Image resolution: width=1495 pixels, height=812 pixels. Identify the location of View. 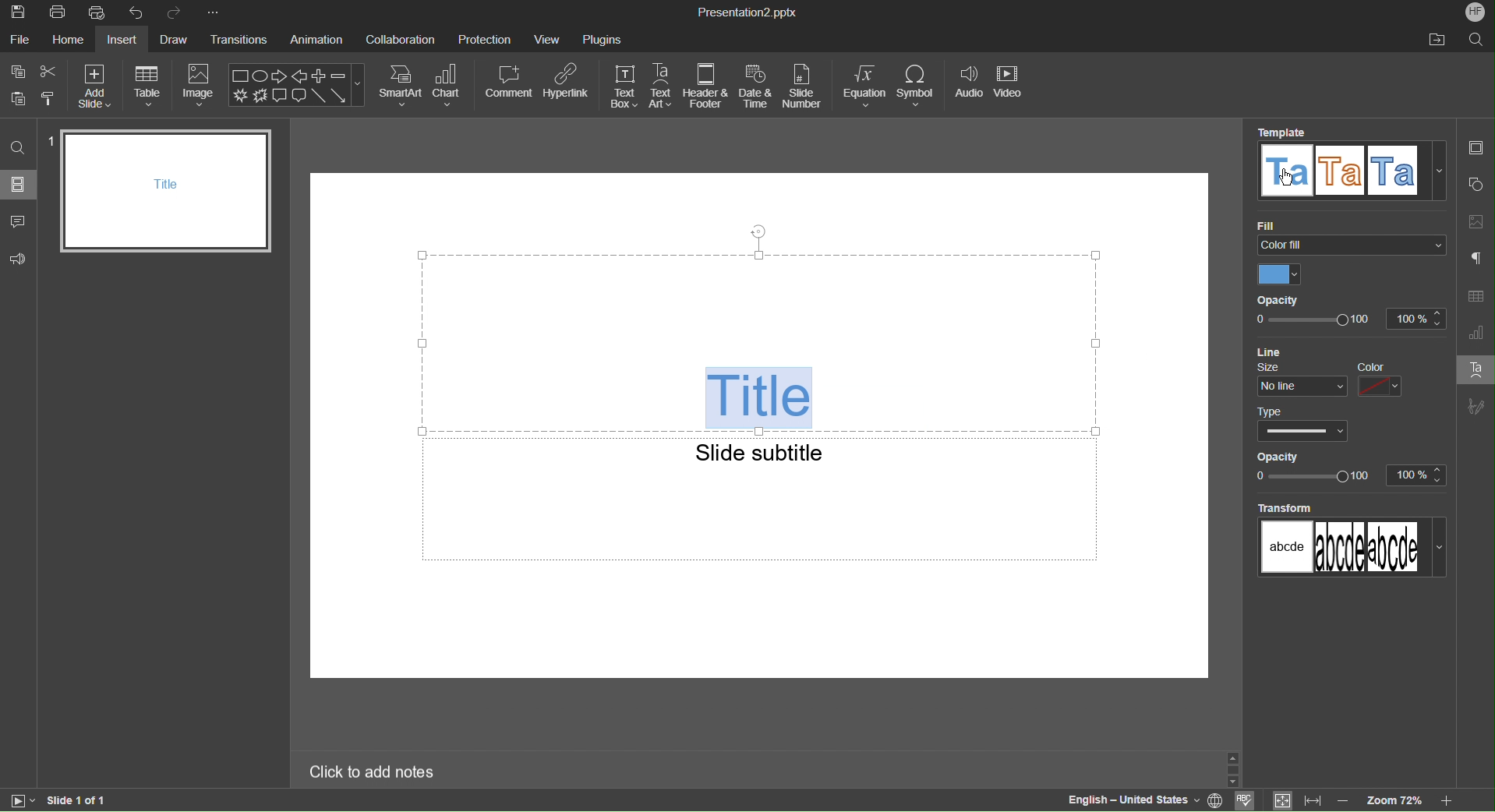
(550, 38).